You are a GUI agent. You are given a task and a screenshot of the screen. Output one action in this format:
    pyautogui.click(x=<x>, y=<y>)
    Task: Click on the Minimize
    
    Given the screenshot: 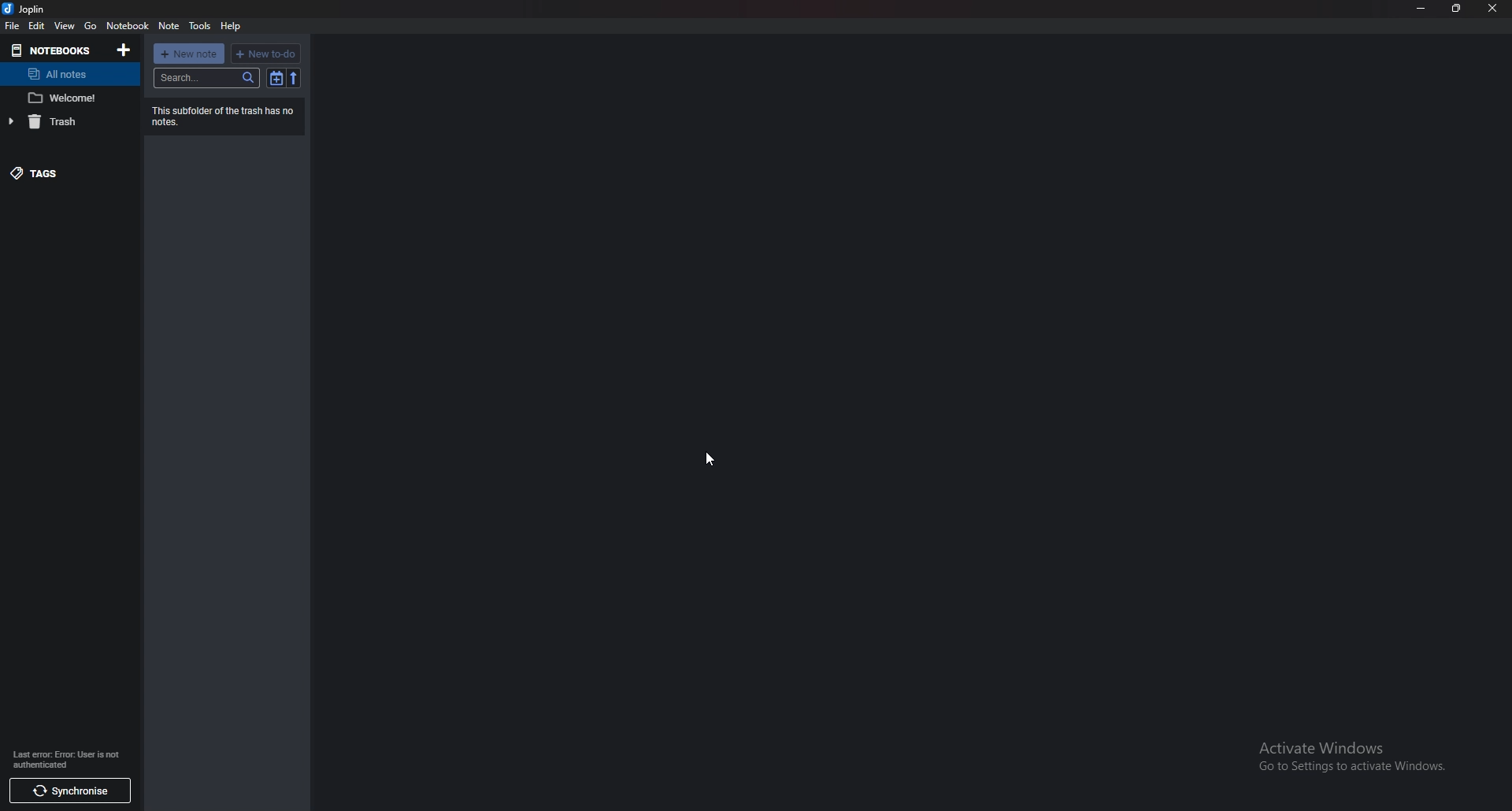 What is the action you would take?
    pyautogui.click(x=1421, y=9)
    